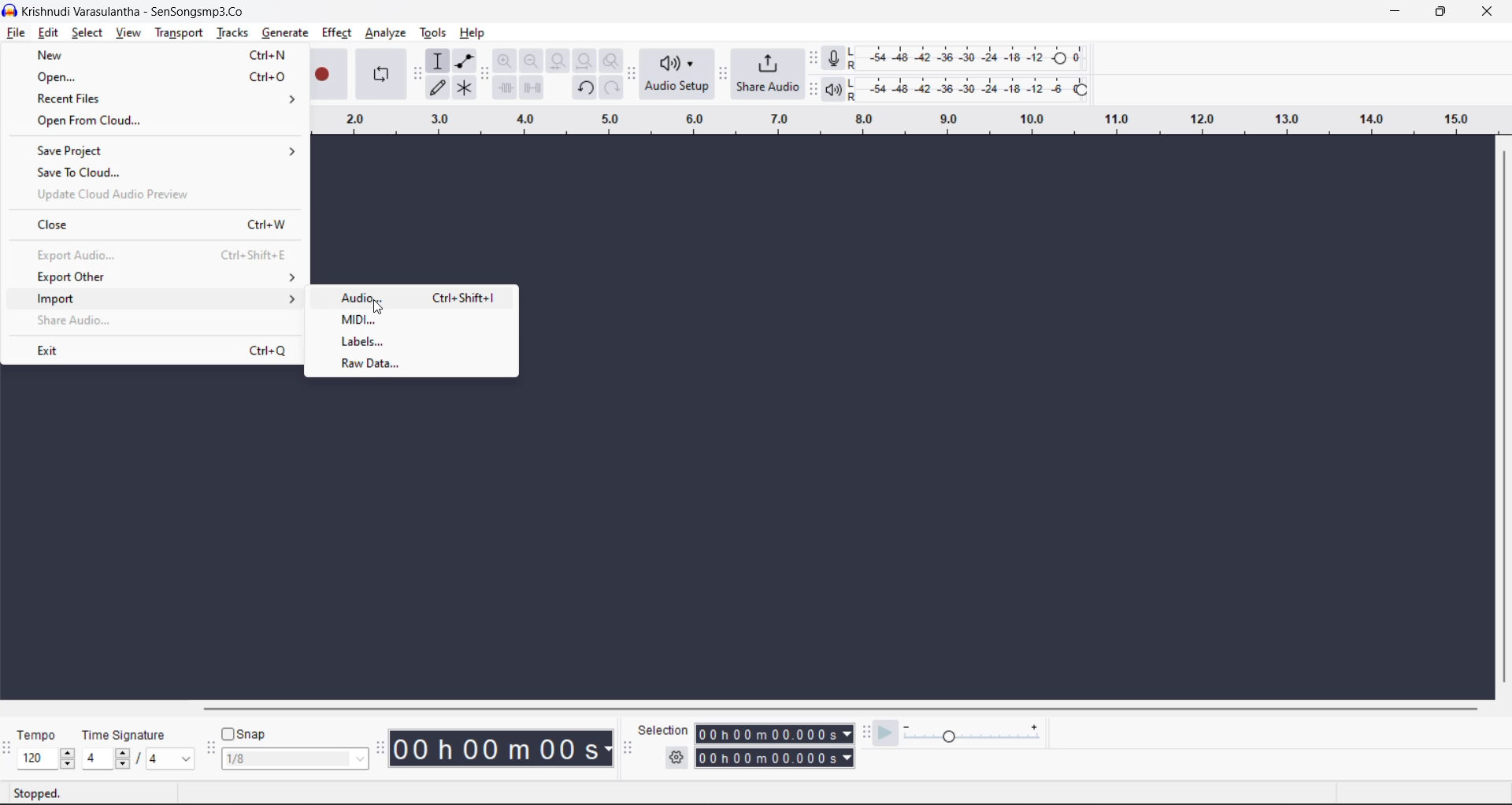 The width and height of the screenshot is (1512, 805). What do you see at coordinates (977, 57) in the screenshot?
I see `recording level` at bounding box center [977, 57].